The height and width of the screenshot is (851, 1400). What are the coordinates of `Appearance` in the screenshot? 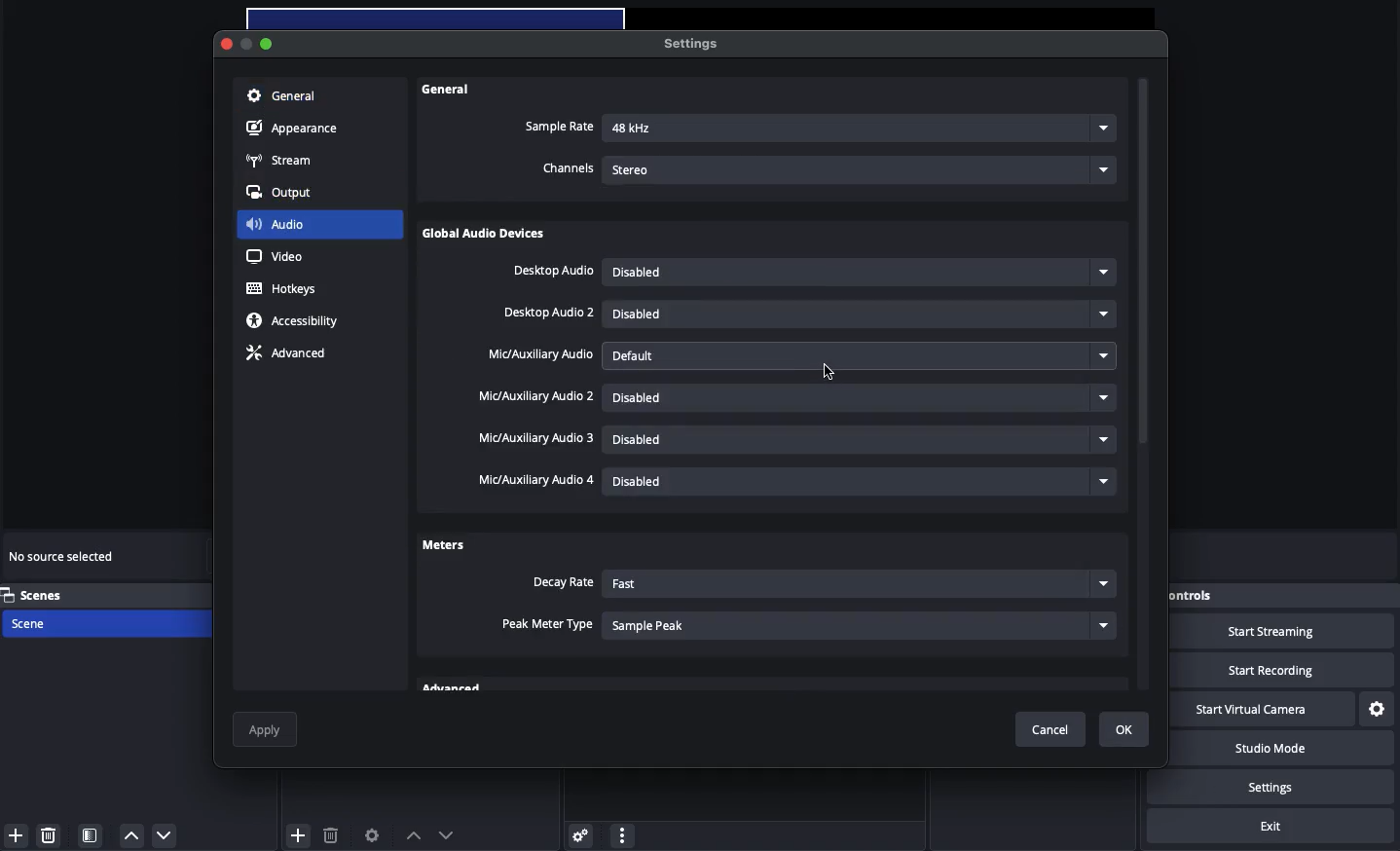 It's located at (295, 129).